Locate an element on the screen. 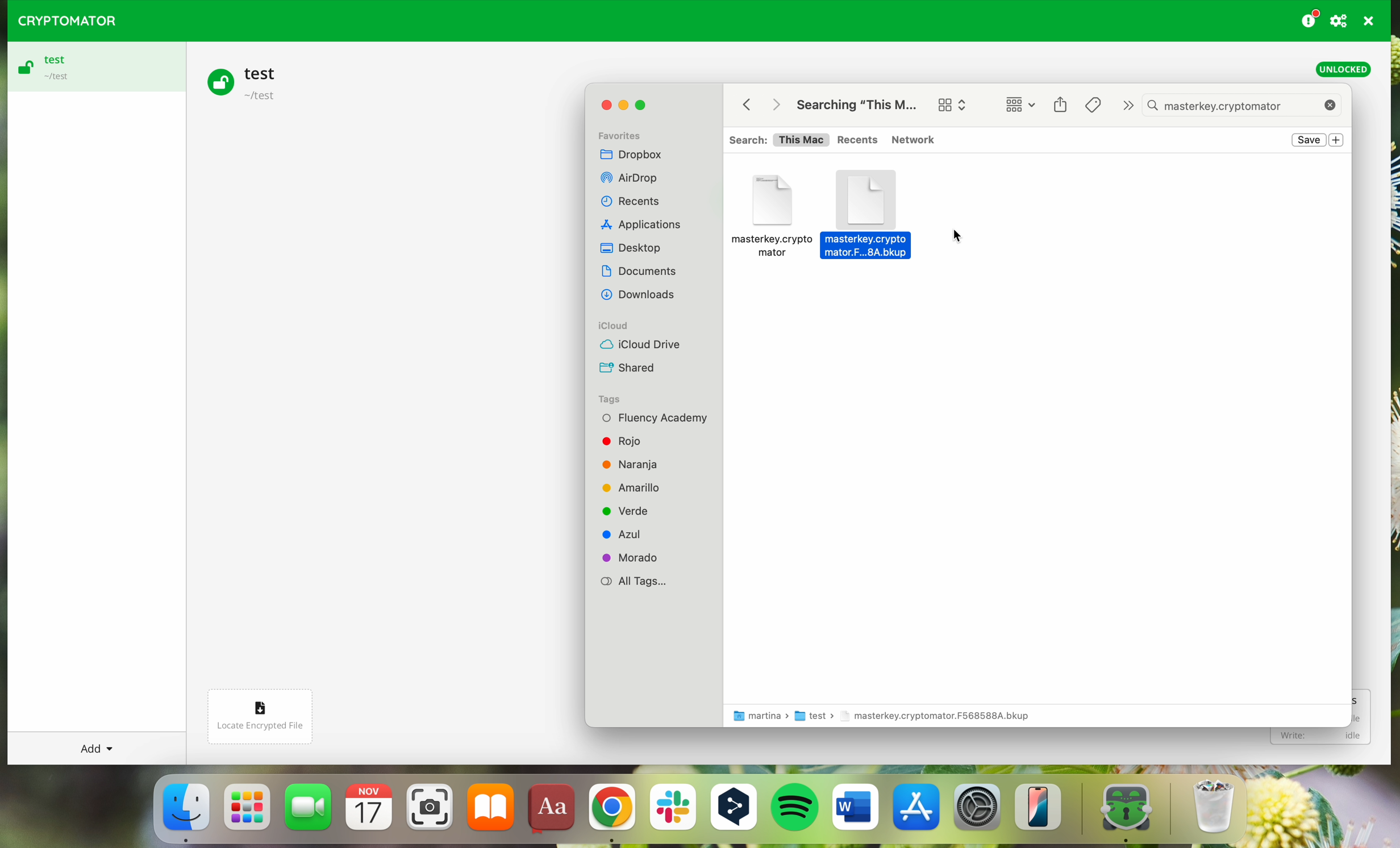 Image resolution: width=1400 pixels, height=848 pixels. Dekstop is located at coordinates (635, 248).